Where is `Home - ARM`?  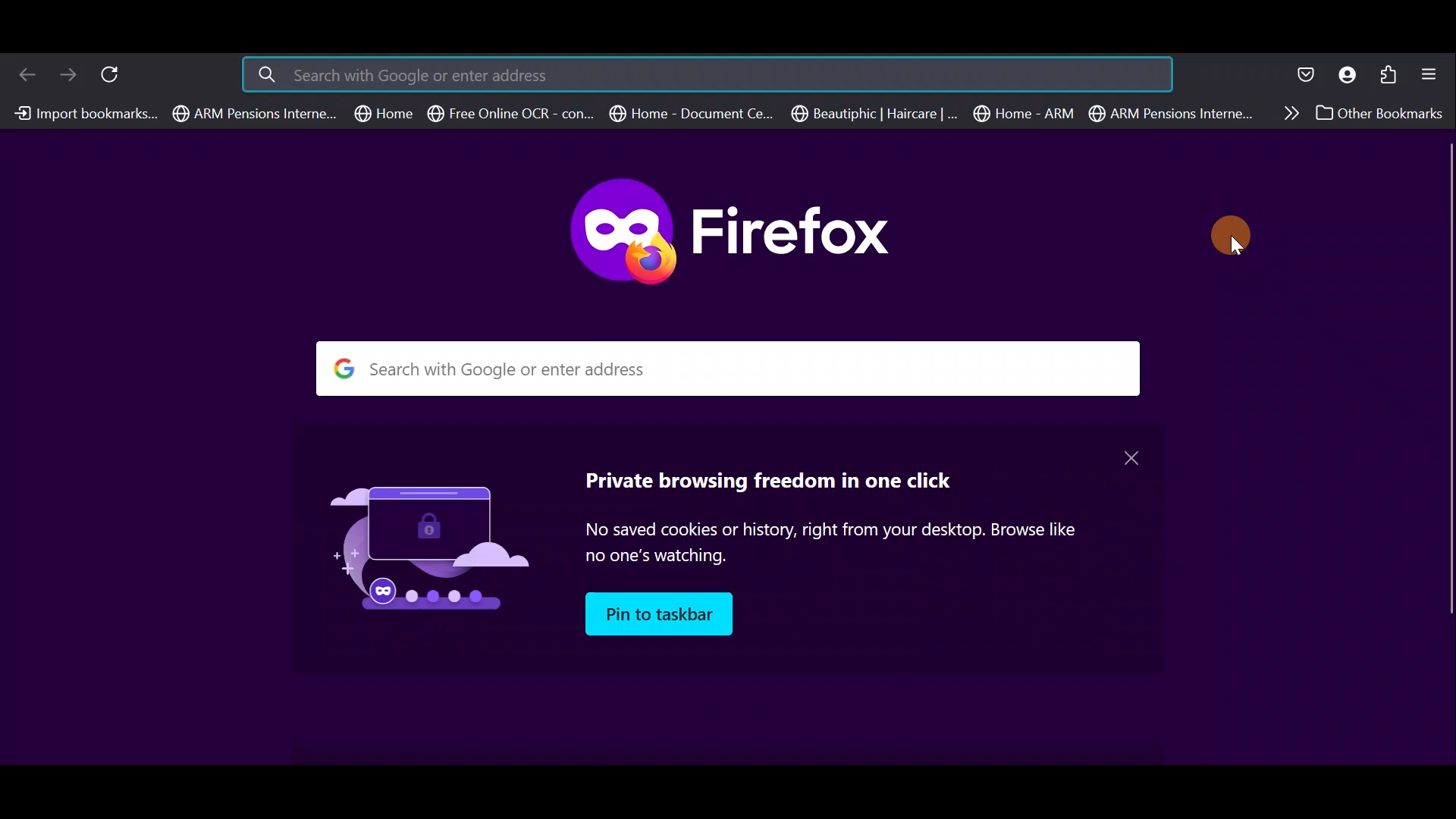 Home - ARM is located at coordinates (1027, 114).